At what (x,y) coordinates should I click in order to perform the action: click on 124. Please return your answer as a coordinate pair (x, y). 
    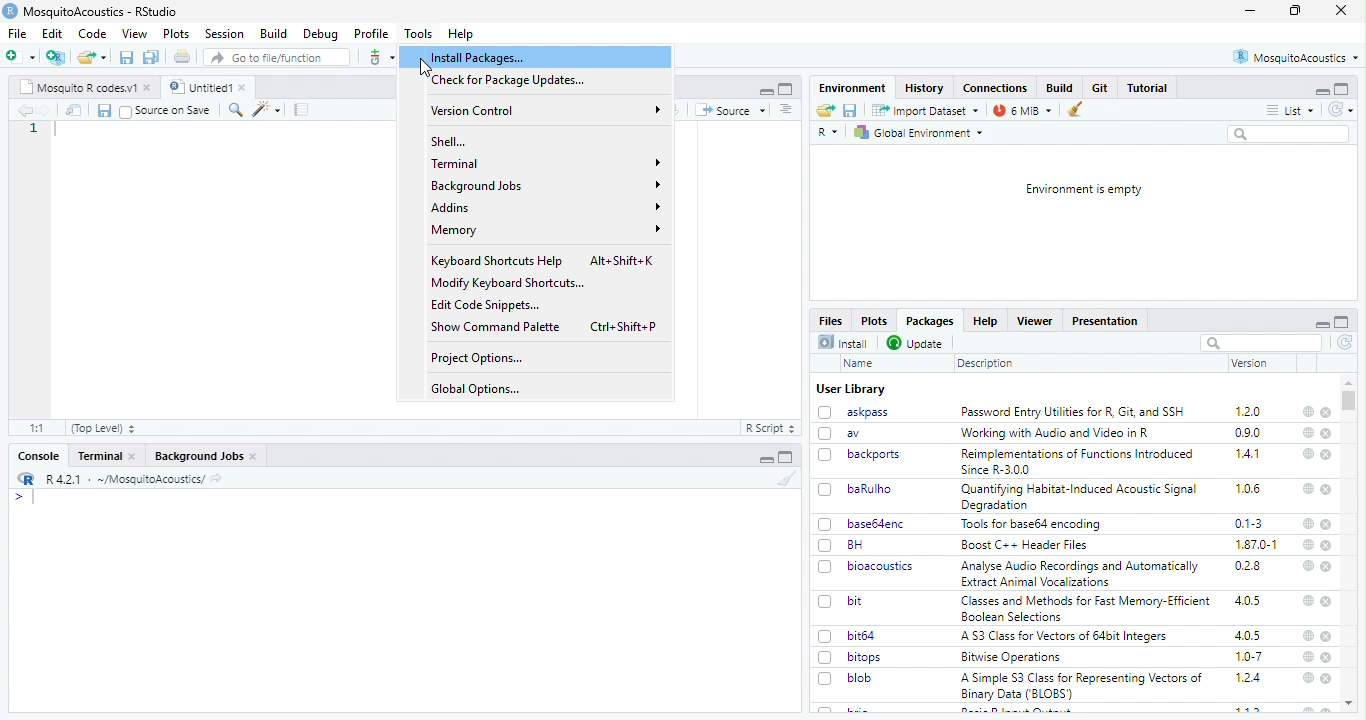
    Looking at the image, I should click on (1249, 678).